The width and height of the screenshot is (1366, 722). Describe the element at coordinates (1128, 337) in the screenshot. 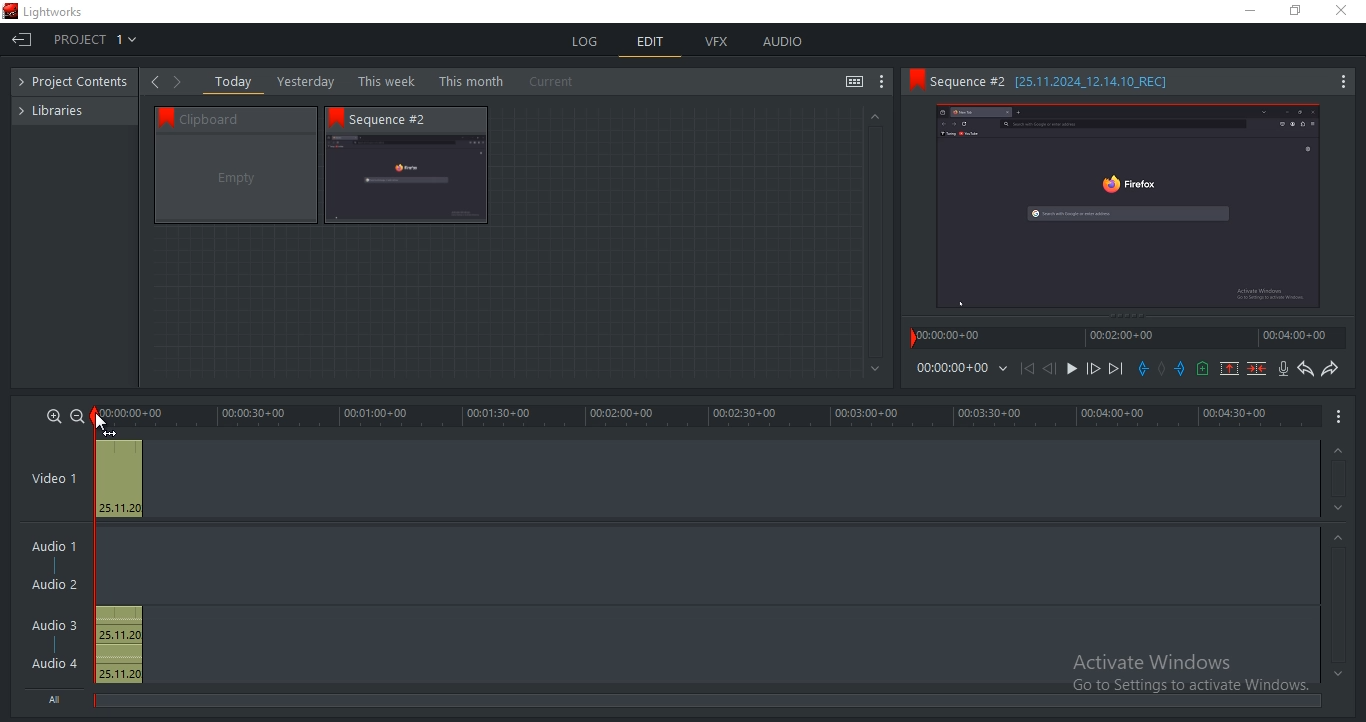

I see `timeline` at that location.